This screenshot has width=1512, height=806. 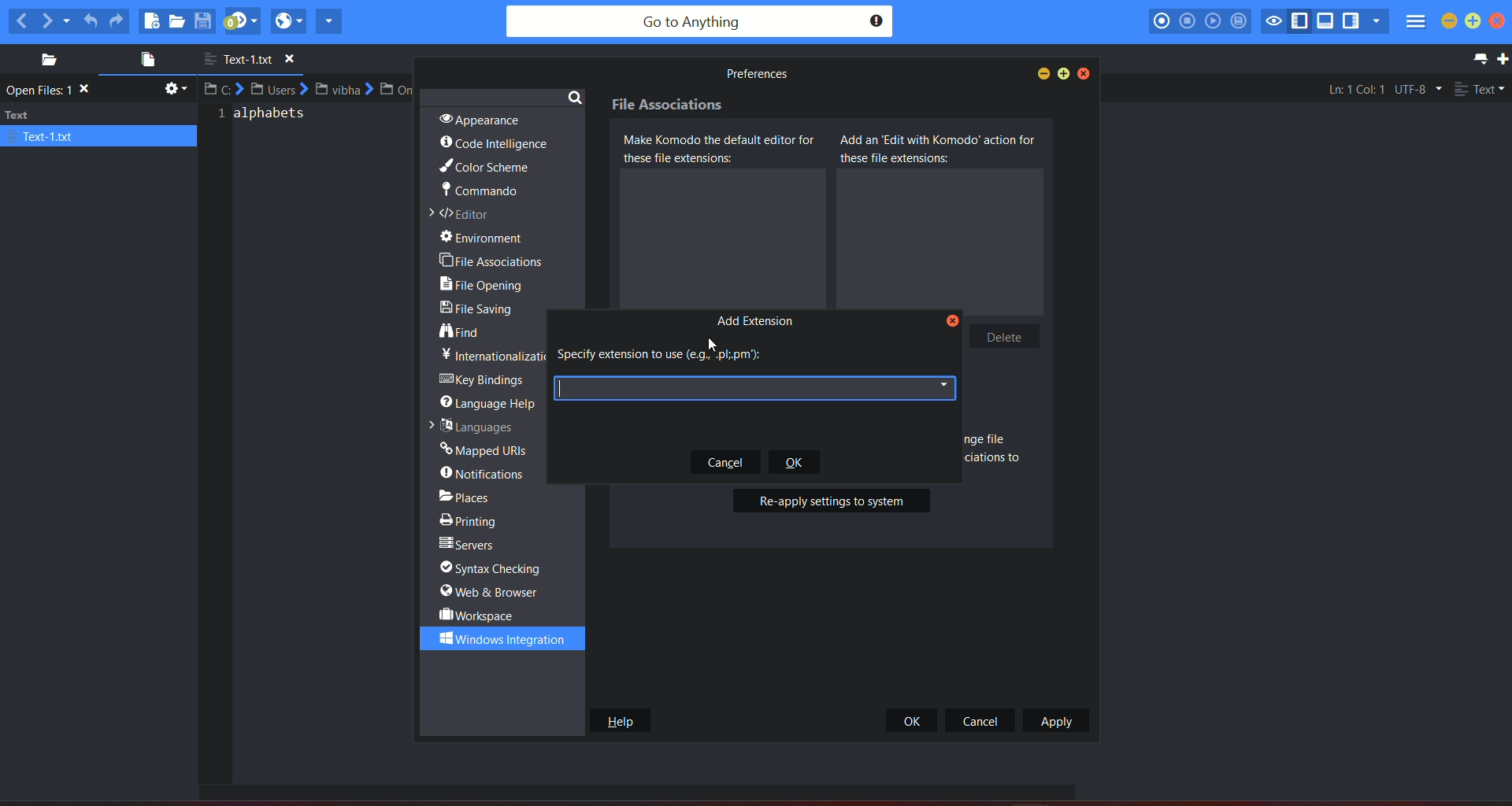 I want to click on notifications, so click(x=485, y=473).